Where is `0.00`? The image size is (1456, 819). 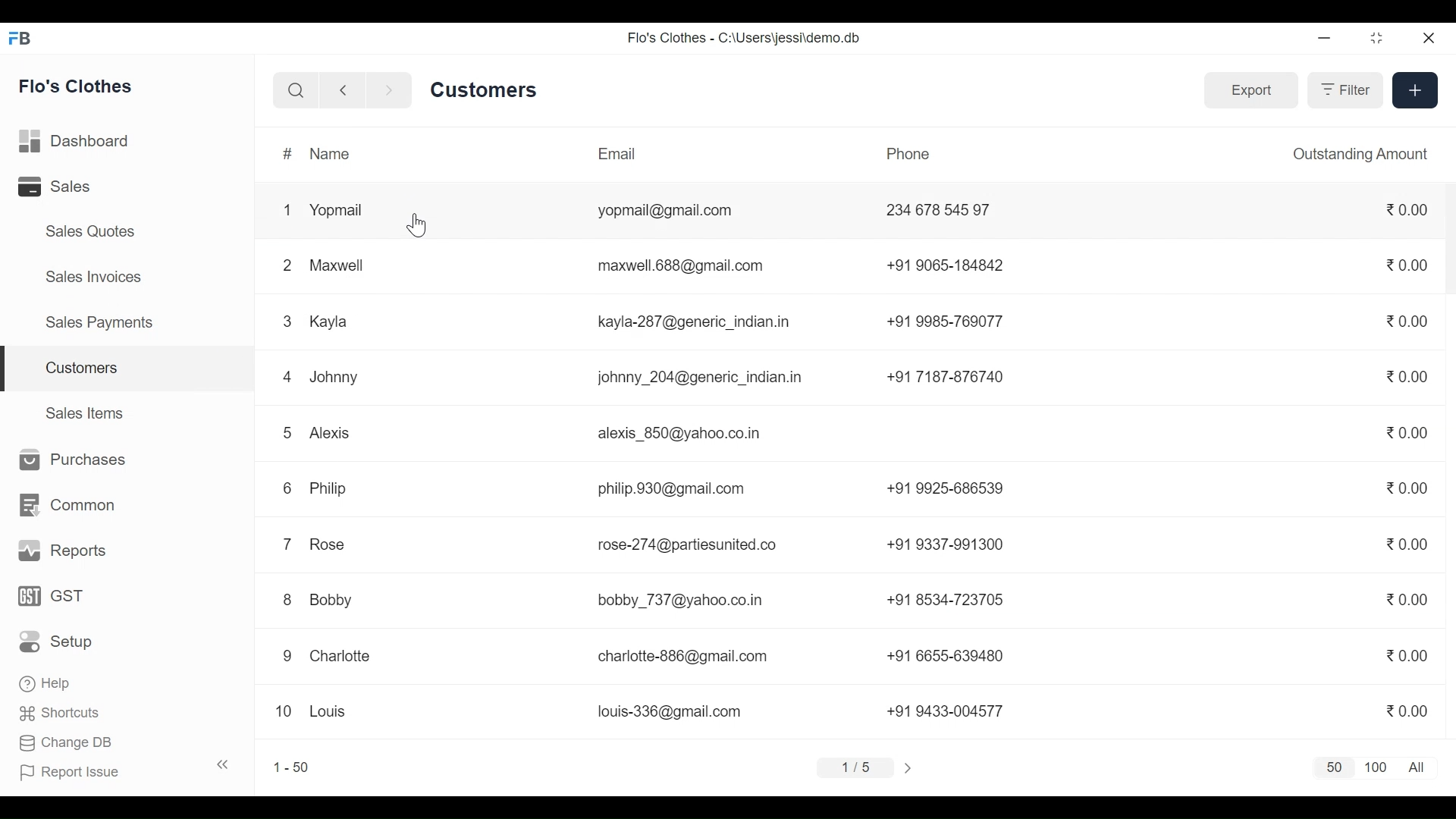
0.00 is located at coordinates (1408, 544).